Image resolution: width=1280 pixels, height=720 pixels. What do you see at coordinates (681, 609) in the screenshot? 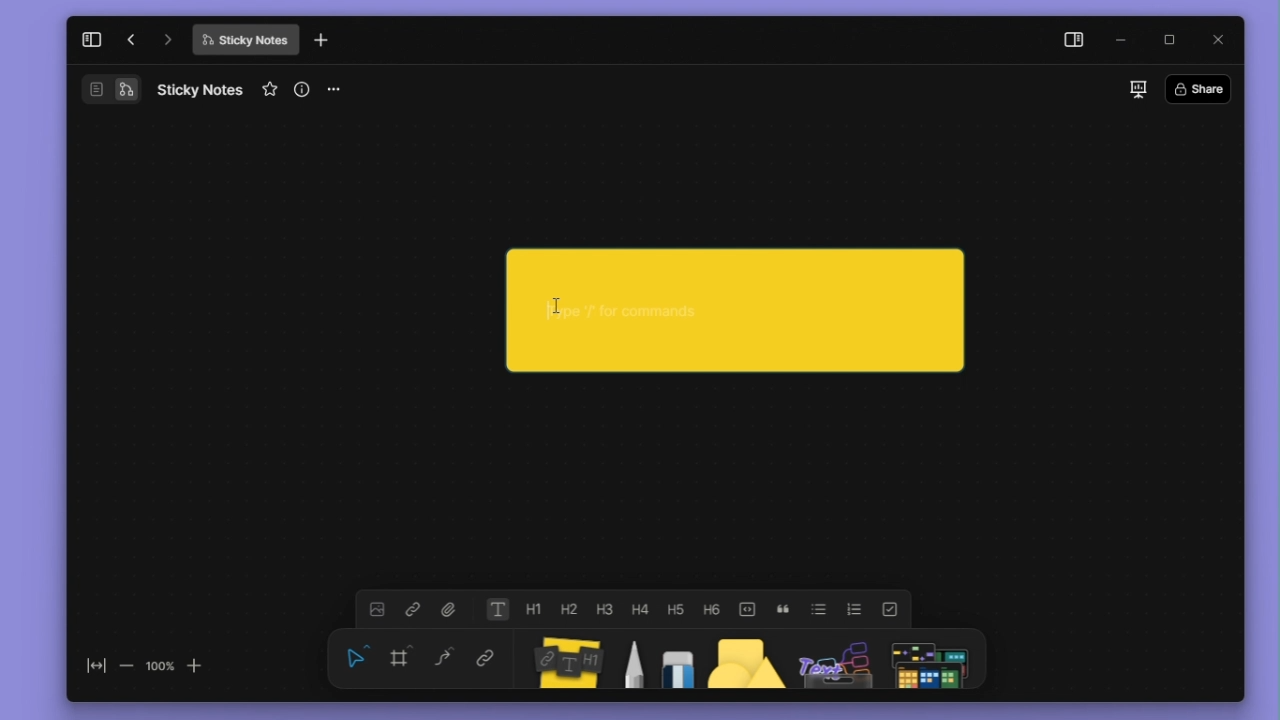
I see `heading` at bounding box center [681, 609].